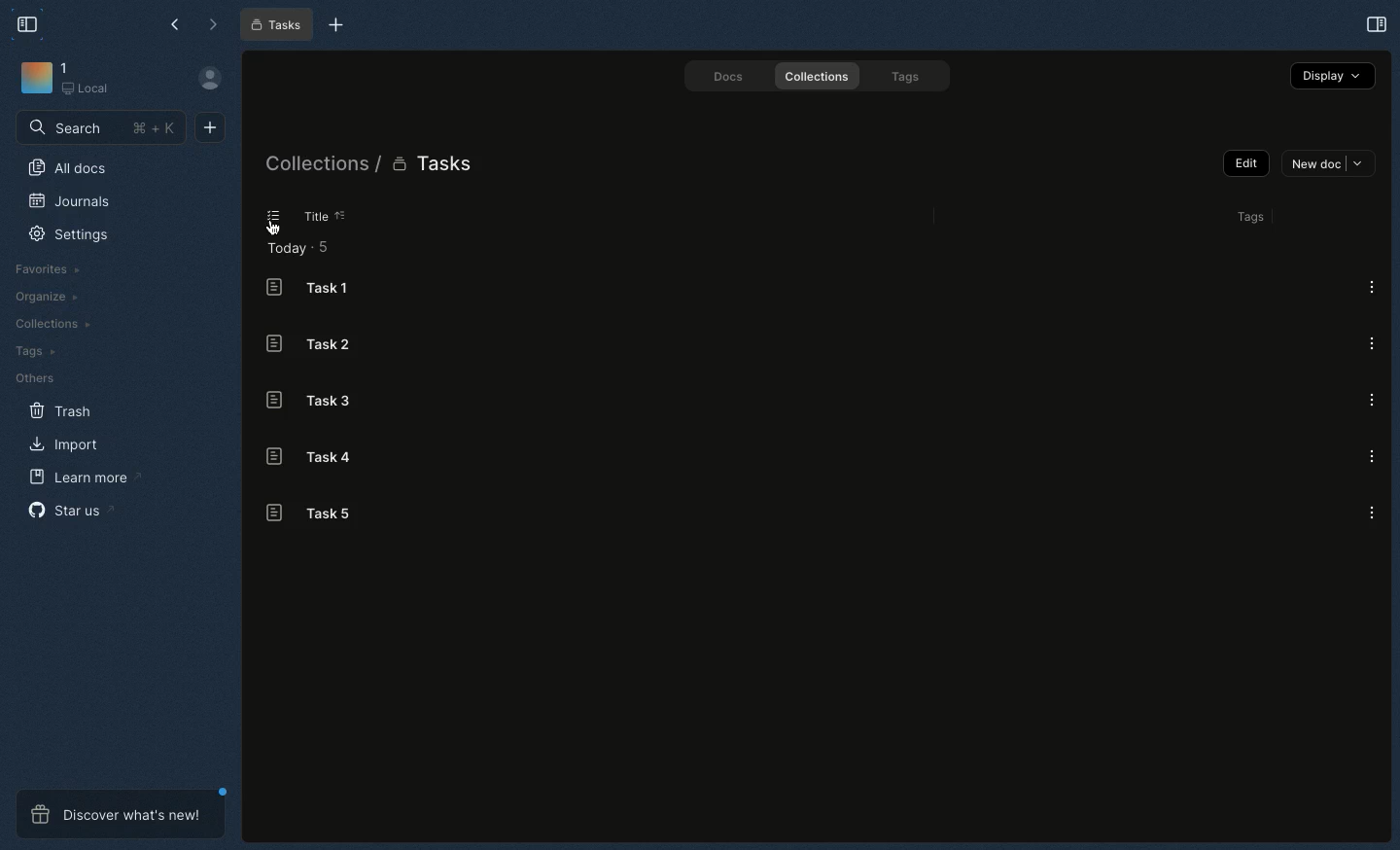 The image size is (1400, 850). Describe the element at coordinates (318, 514) in the screenshot. I see `Task 5` at that location.